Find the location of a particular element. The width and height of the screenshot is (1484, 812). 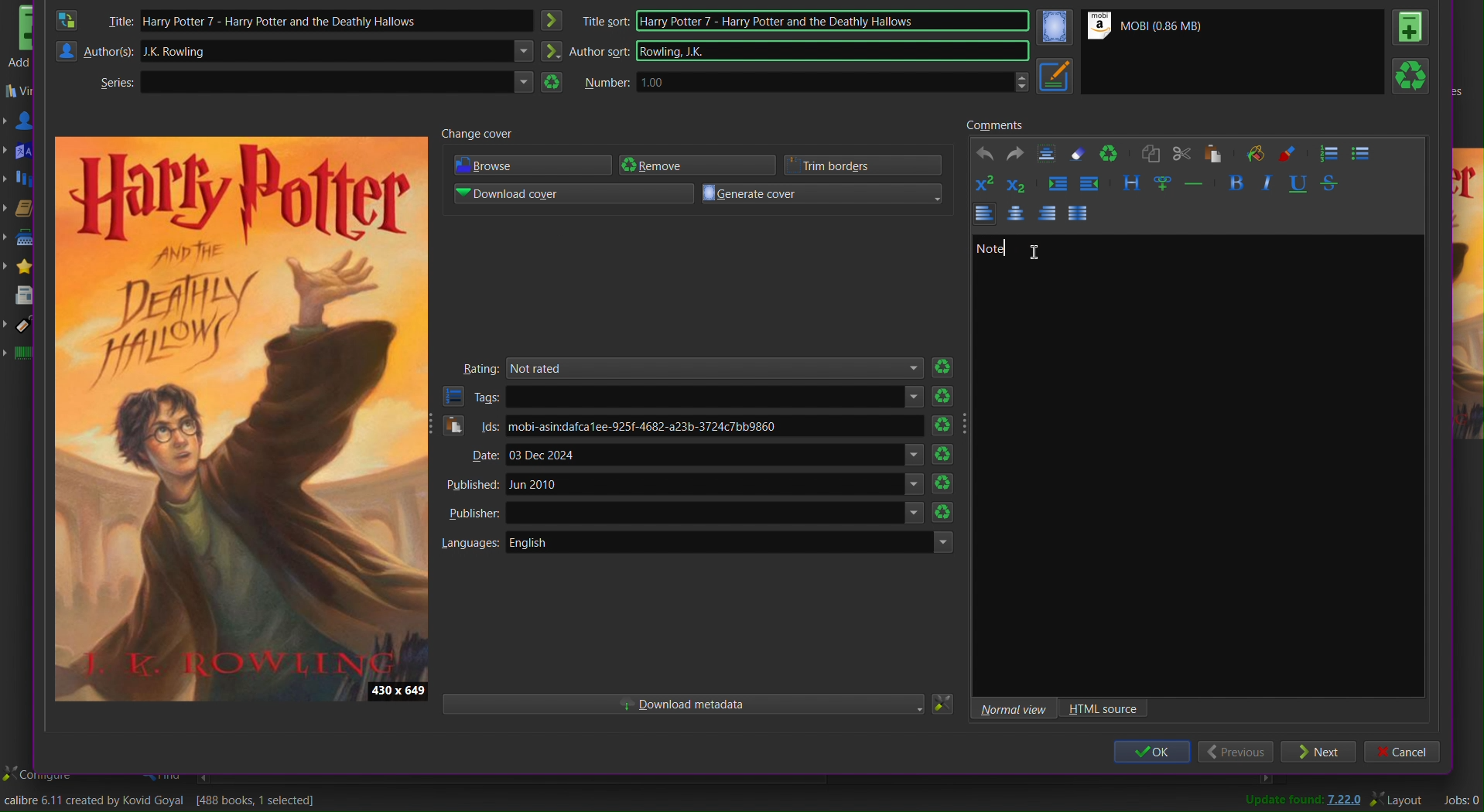

Mobi is located at coordinates (1147, 28).